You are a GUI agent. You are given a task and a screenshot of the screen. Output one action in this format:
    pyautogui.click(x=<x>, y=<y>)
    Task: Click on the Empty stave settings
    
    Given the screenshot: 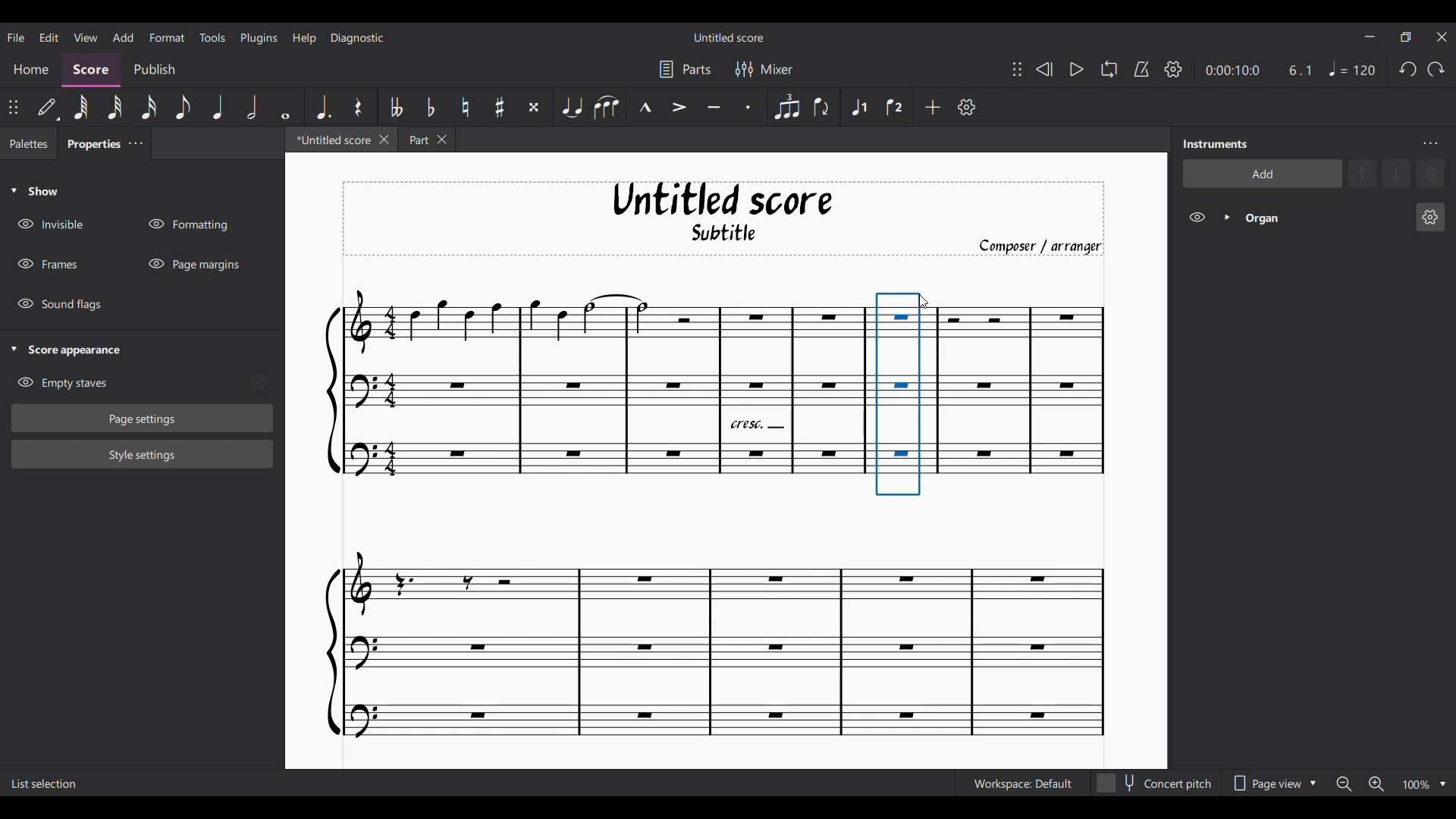 What is the action you would take?
    pyautogui.click(x=258, y=382)
    